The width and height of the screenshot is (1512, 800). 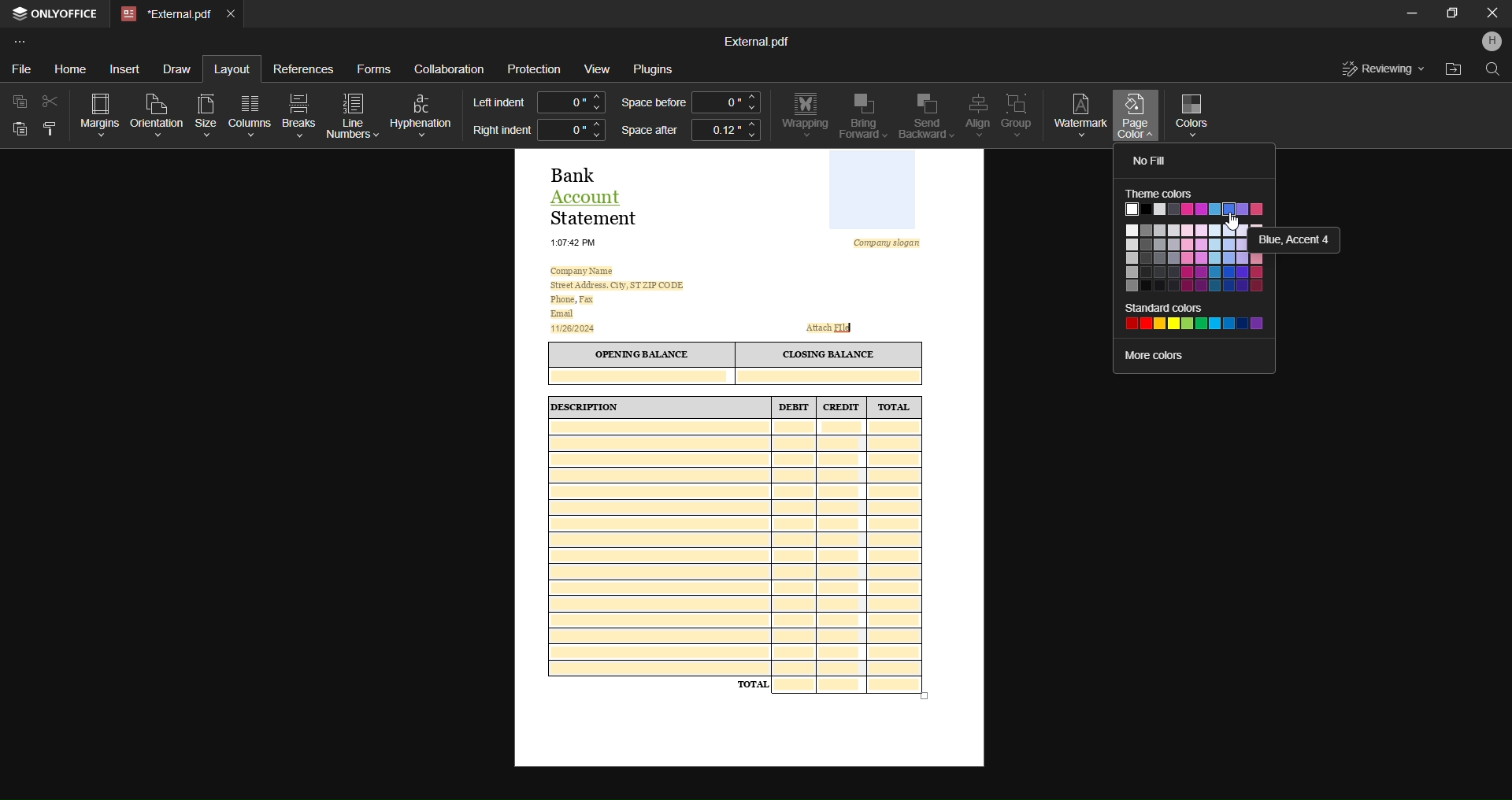 What do you see at coordinates (373, 67) in the screenshot?
I see `Forms` at bounding box center [373, 67].